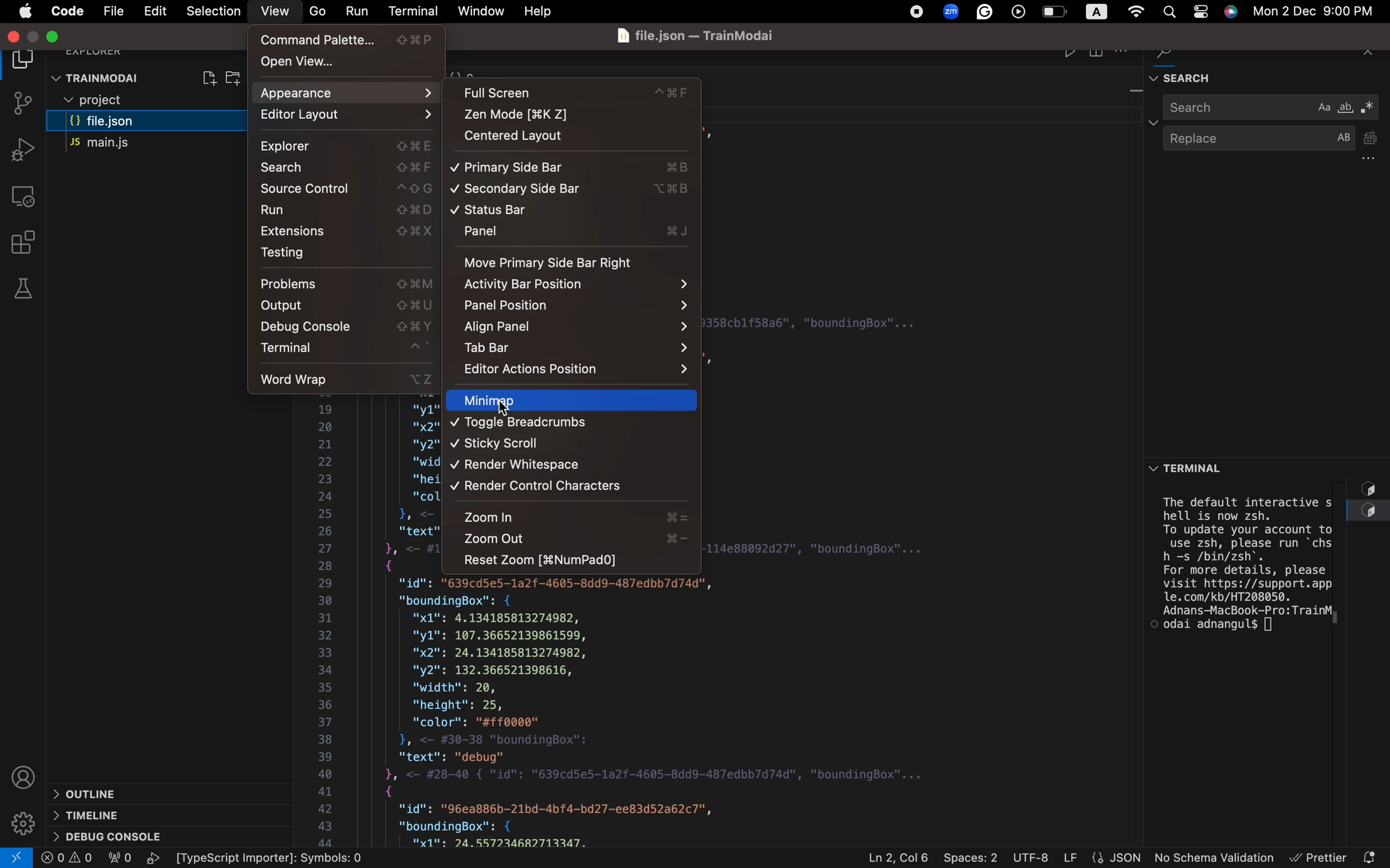  I want to click on explorer, so click(103, 55).